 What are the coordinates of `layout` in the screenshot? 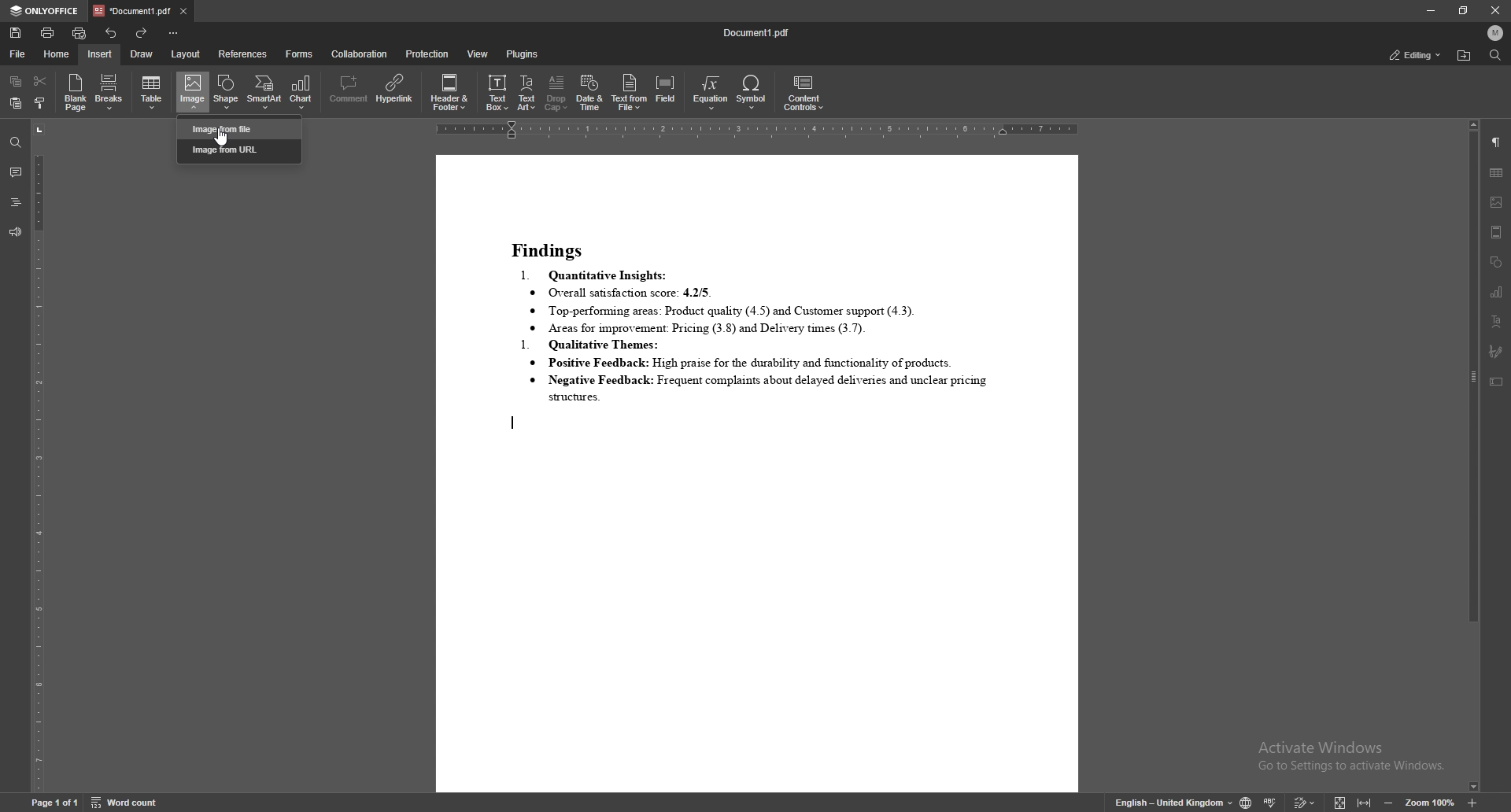 It's located at (188, 54).